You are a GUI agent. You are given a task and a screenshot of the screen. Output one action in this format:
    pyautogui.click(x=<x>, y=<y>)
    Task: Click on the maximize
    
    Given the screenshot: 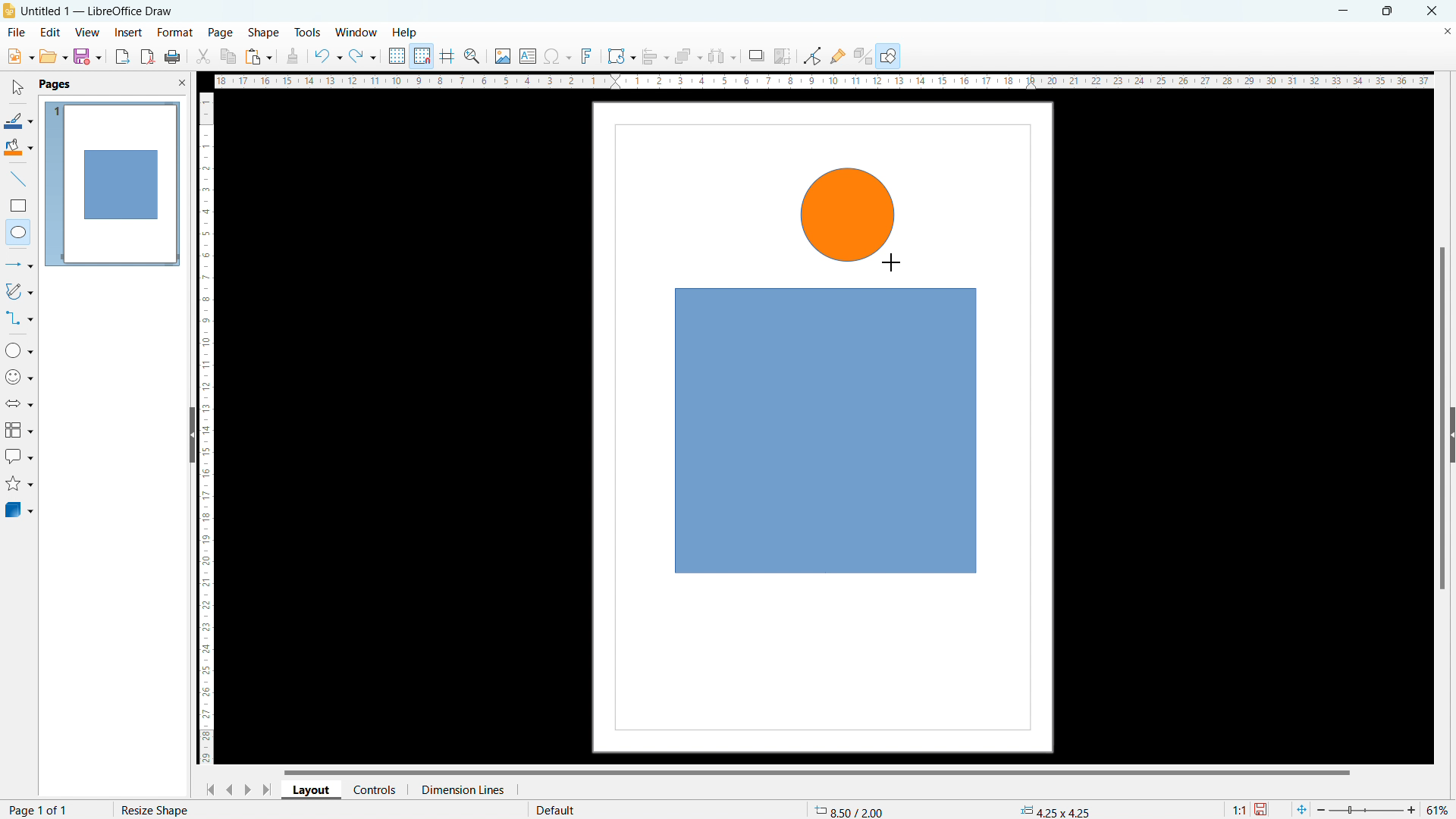 What is the action you would take?
    pyautogui.click(x=1386, y=11)
    